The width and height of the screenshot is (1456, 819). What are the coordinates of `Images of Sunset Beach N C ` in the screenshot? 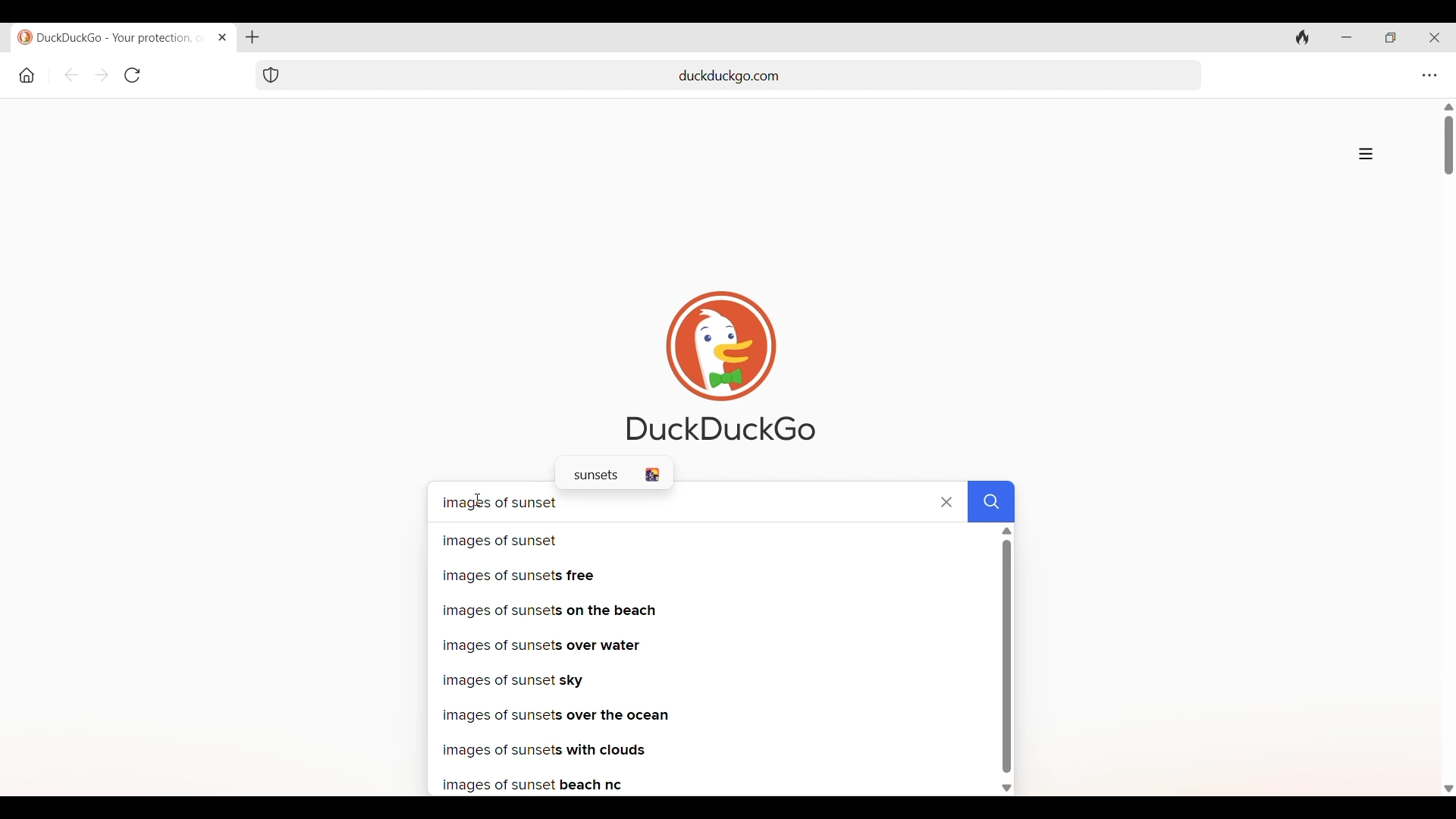 It's located at (708, 786).